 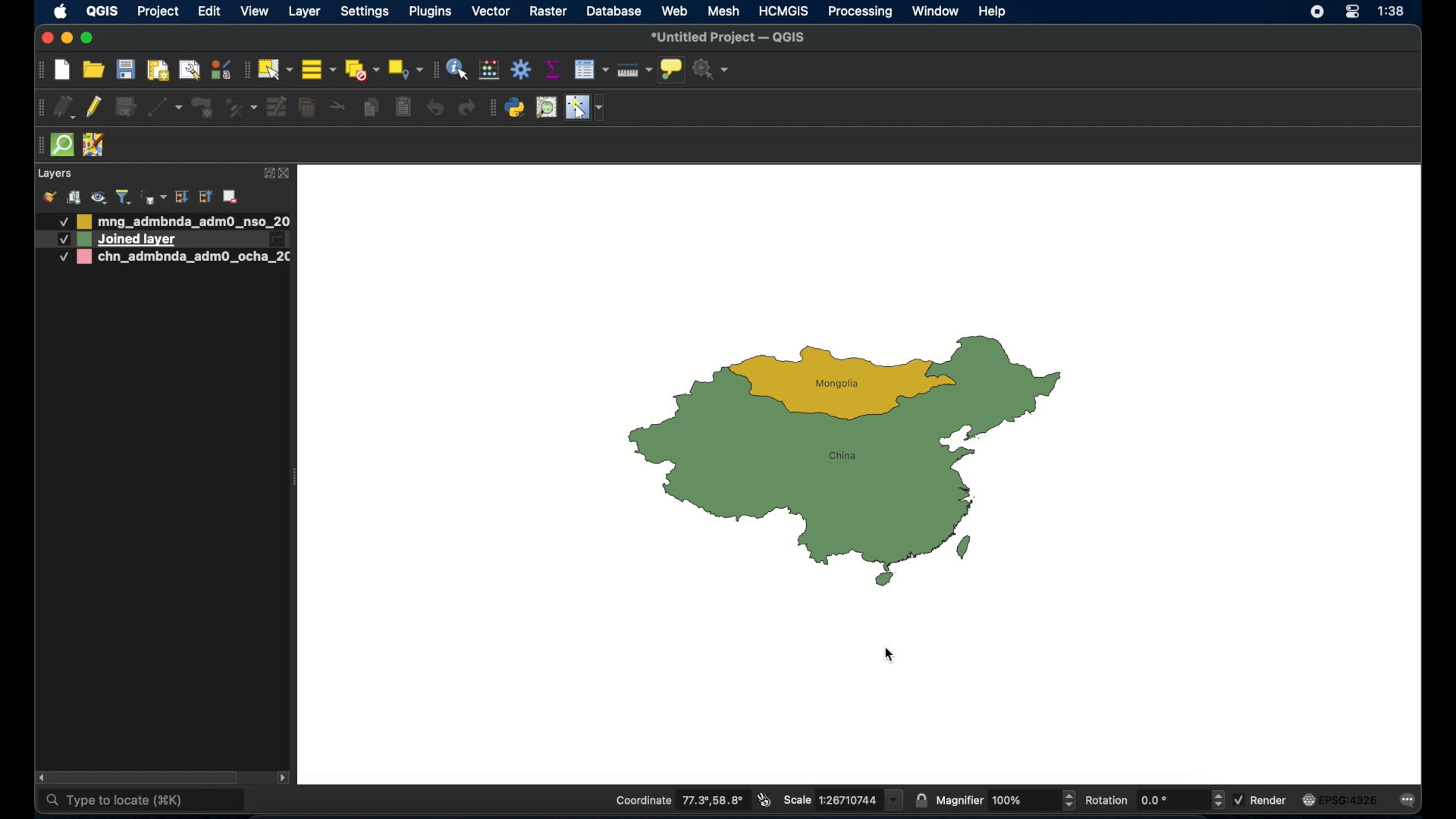 What do you see at coordinates (730, 39) in the screenshot?
I see `untitled project - QGIS` at bounding box center [730, 39].